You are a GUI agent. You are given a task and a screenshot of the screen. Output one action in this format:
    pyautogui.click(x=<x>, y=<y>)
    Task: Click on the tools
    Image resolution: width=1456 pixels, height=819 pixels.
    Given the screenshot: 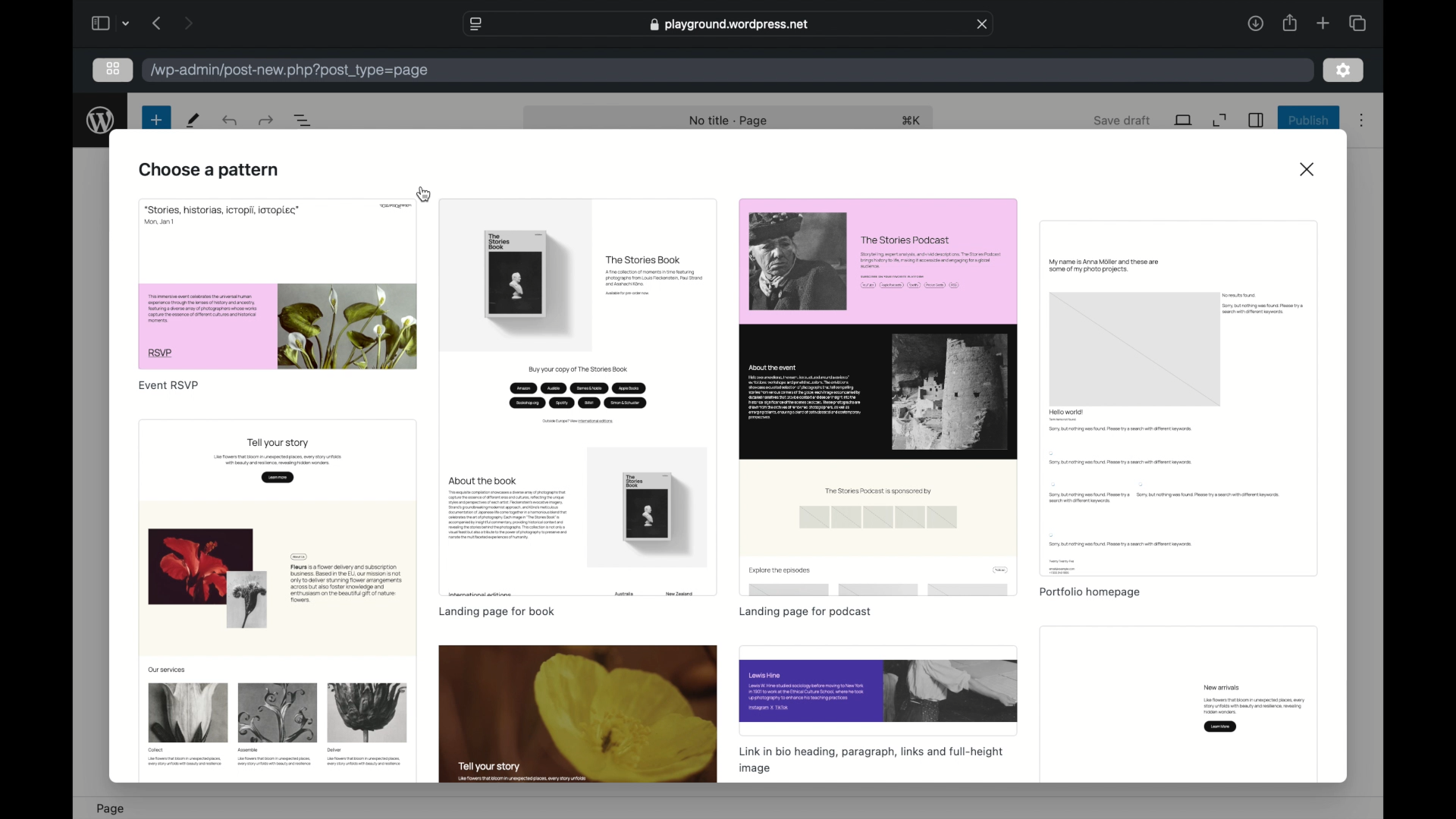 What is the action you would take?
    pyautogui.click(x=194, y=121)
    